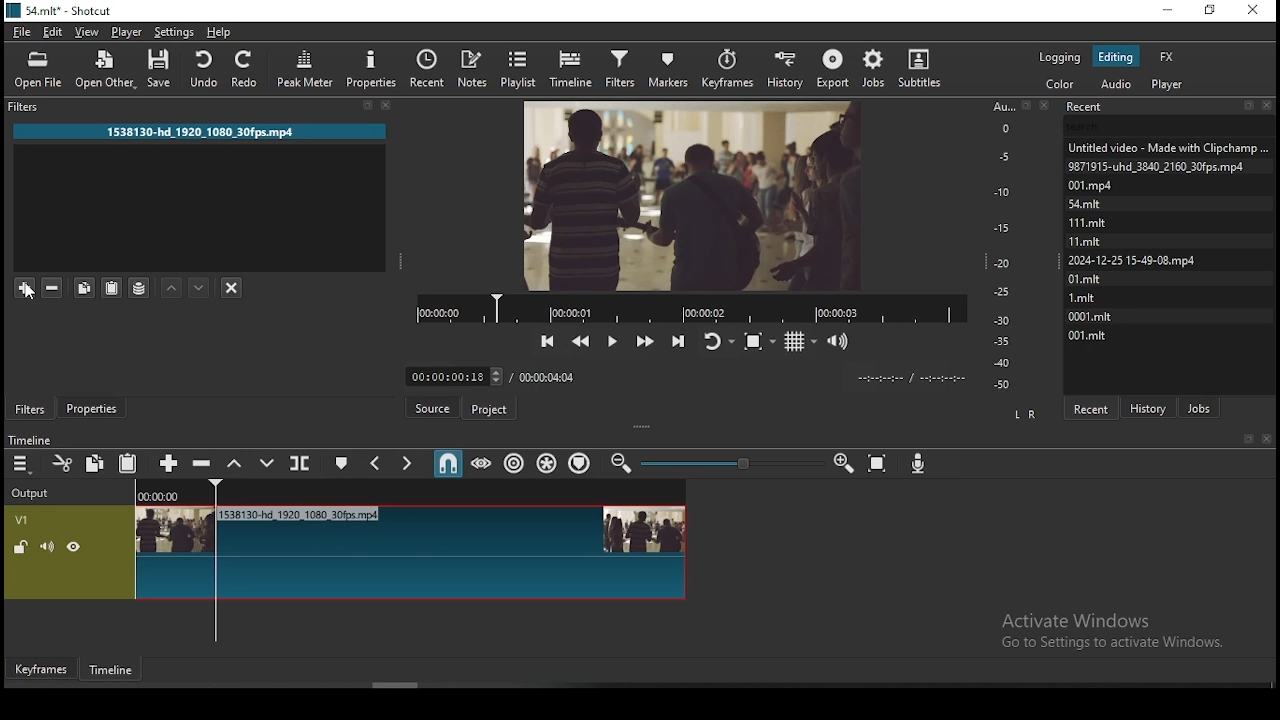 The width and height of the screenshot is (1280, 720). I want to click on minimize, so click(1167, 11).